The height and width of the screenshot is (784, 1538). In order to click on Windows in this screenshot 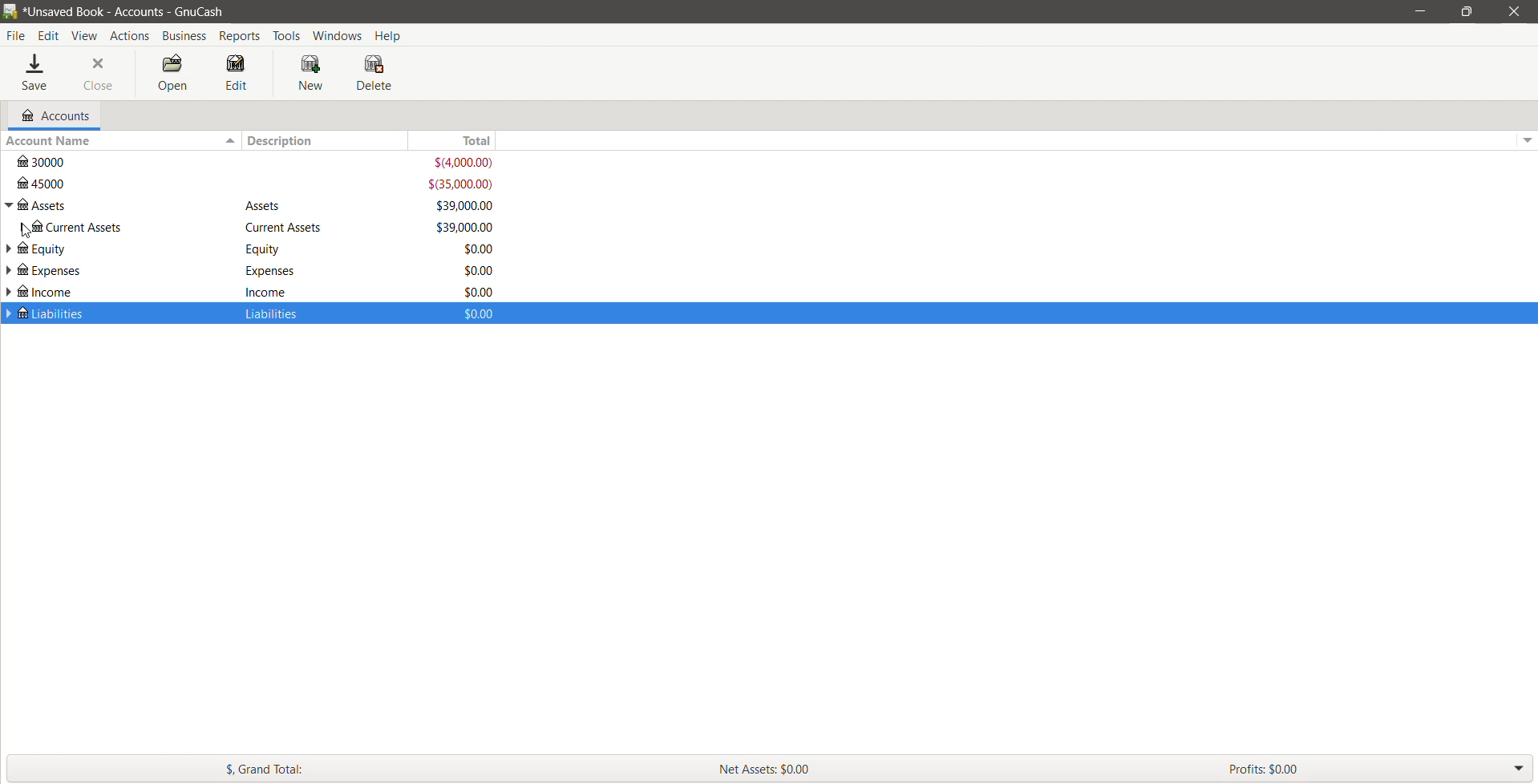, I will do `click(339, 34)`.